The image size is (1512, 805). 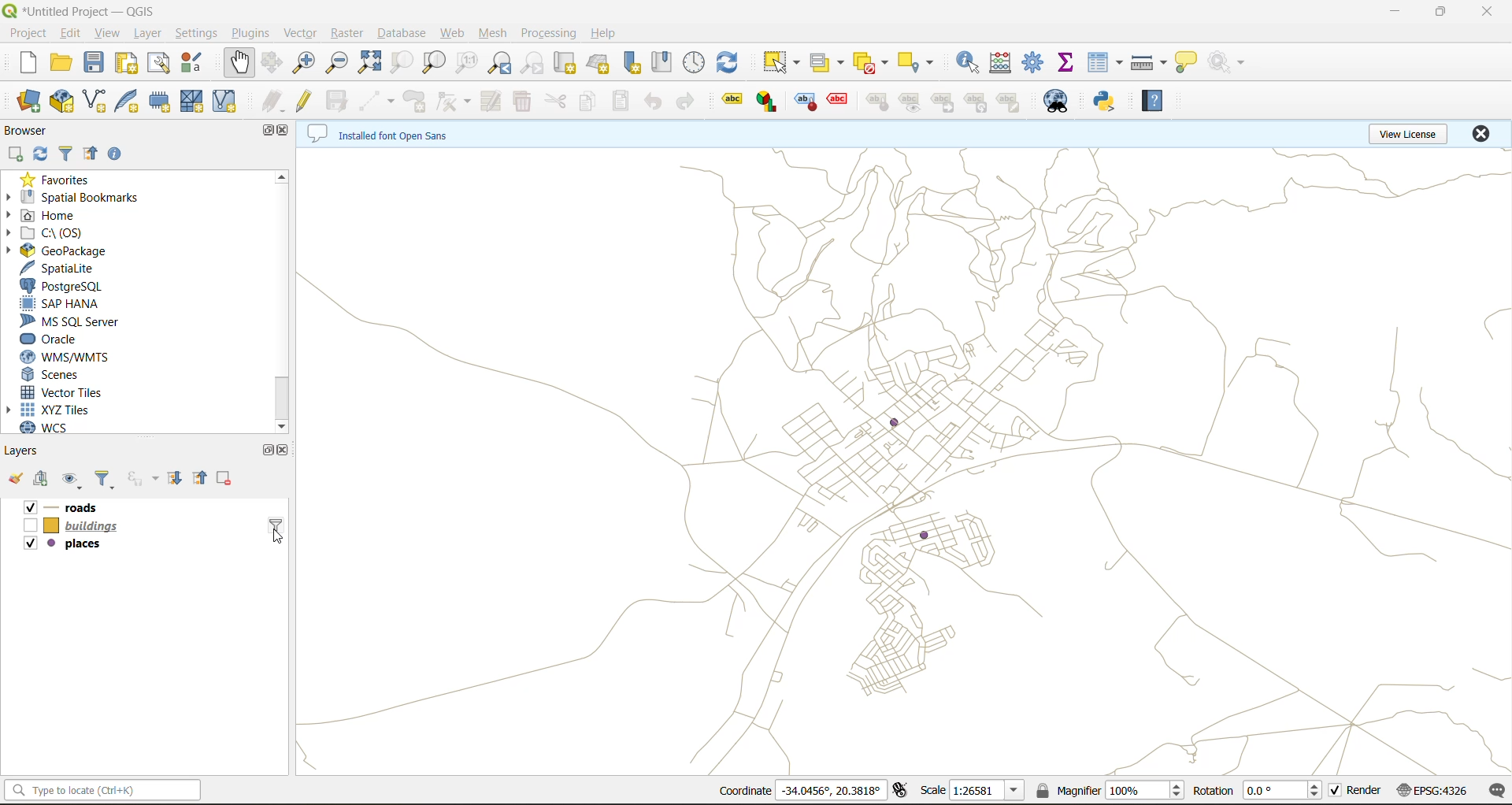 What do you see at coordinates (374, 102) in the screenshot?
I see `digitize` at bounding box center [374, 102].